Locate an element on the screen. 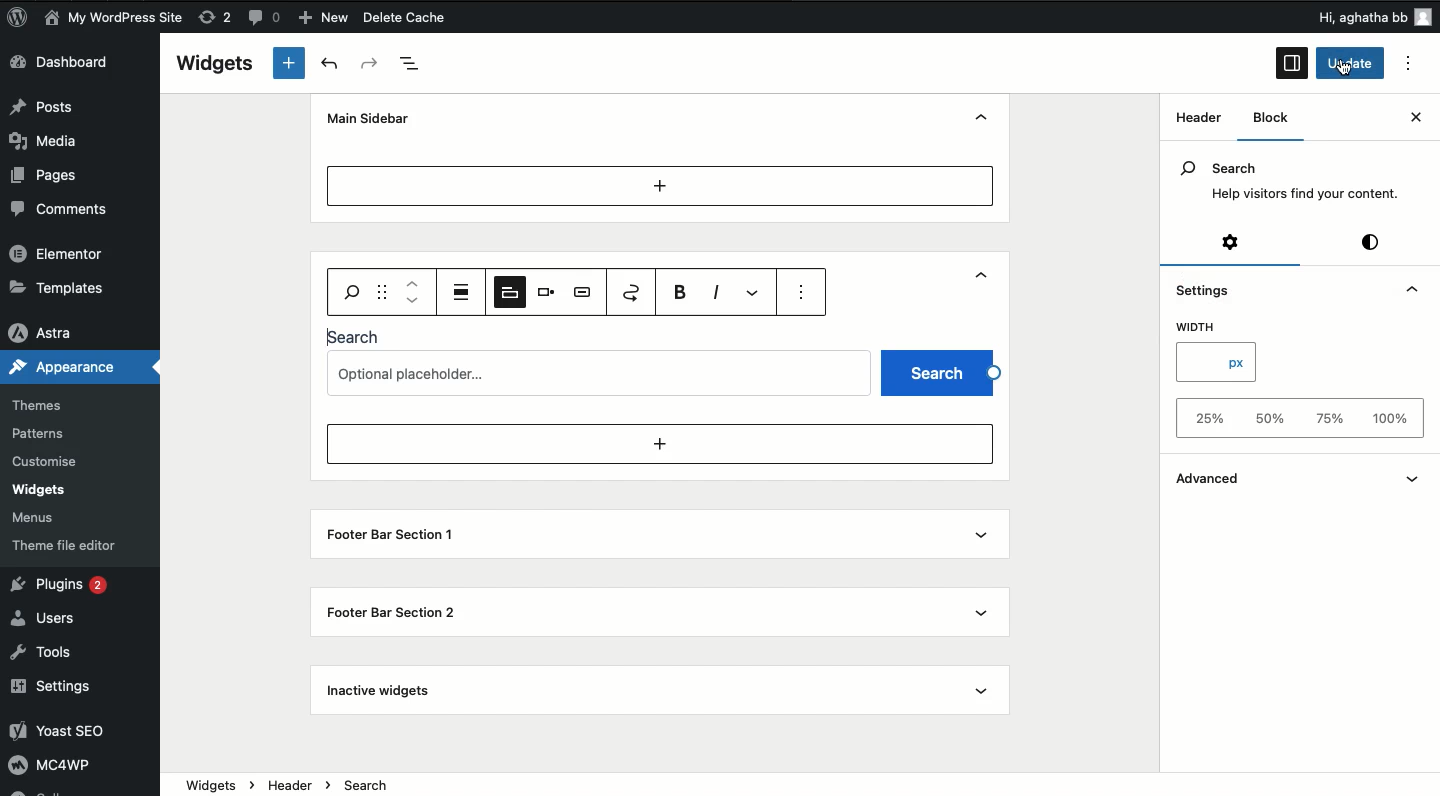  My WordPress Site is located at coordinates (113, 18).